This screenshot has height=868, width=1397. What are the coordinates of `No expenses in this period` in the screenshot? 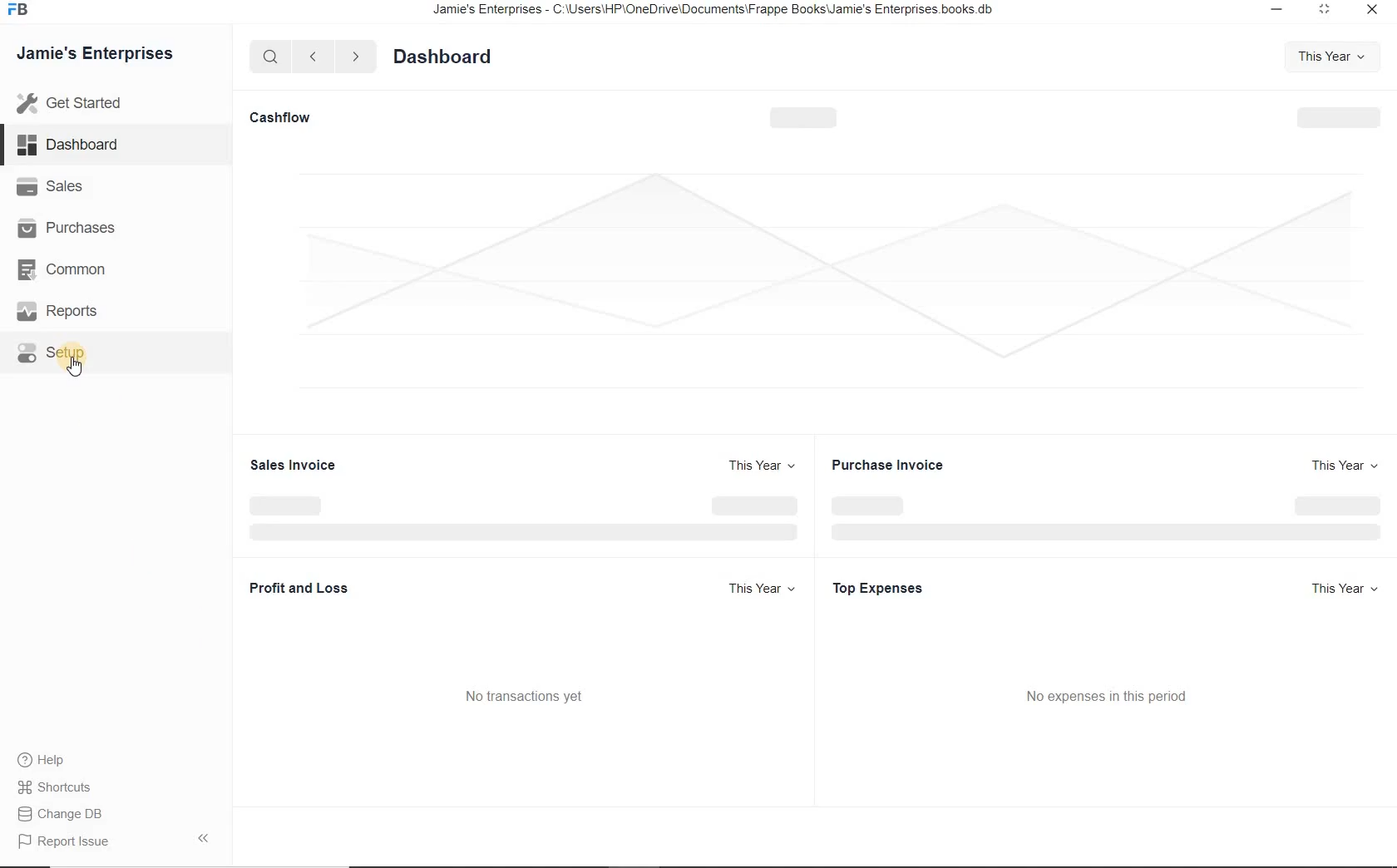 It's located at (1111, 694).